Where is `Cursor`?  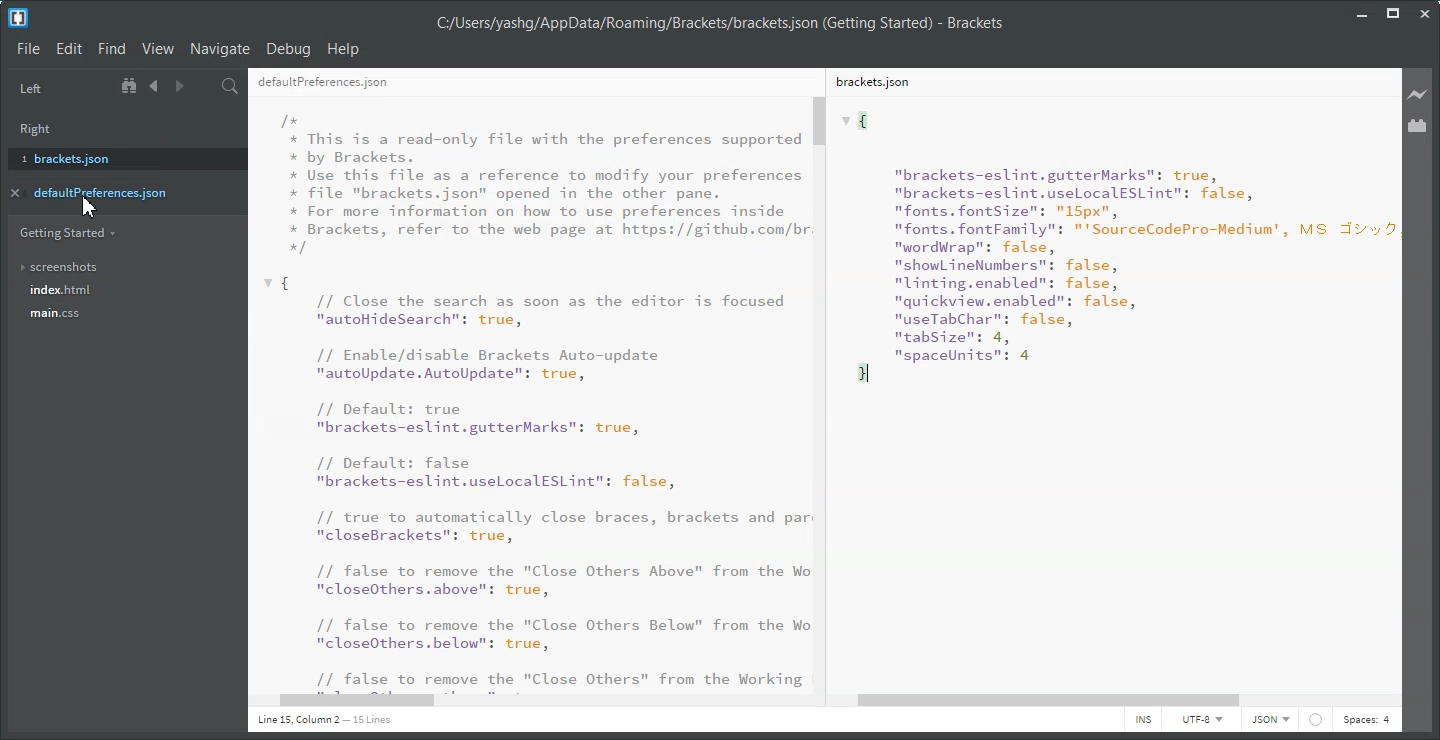 Cursor is located at coordinates (91, 206).